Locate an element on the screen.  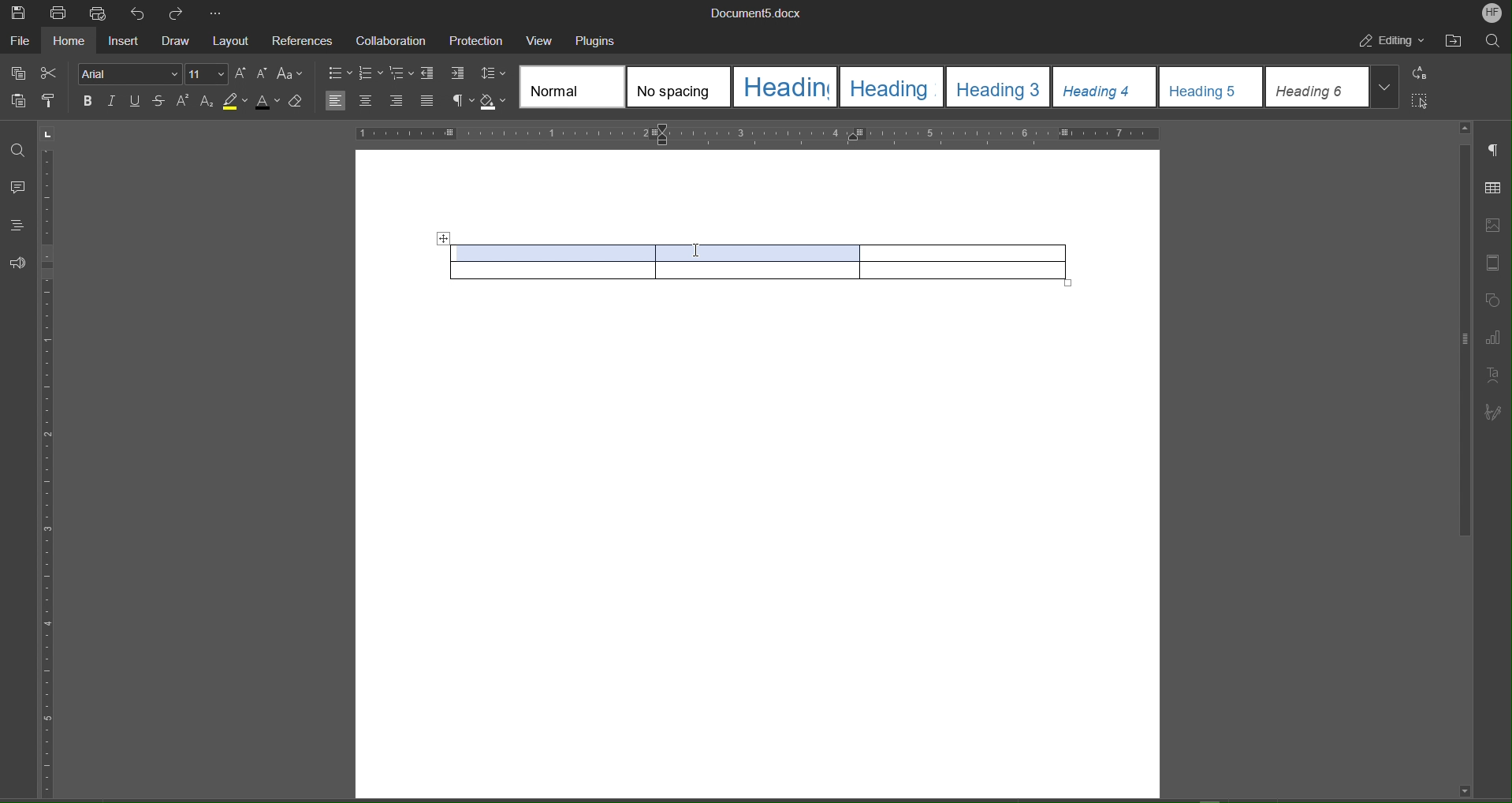
Alignment is located at coordinates (380, 101).